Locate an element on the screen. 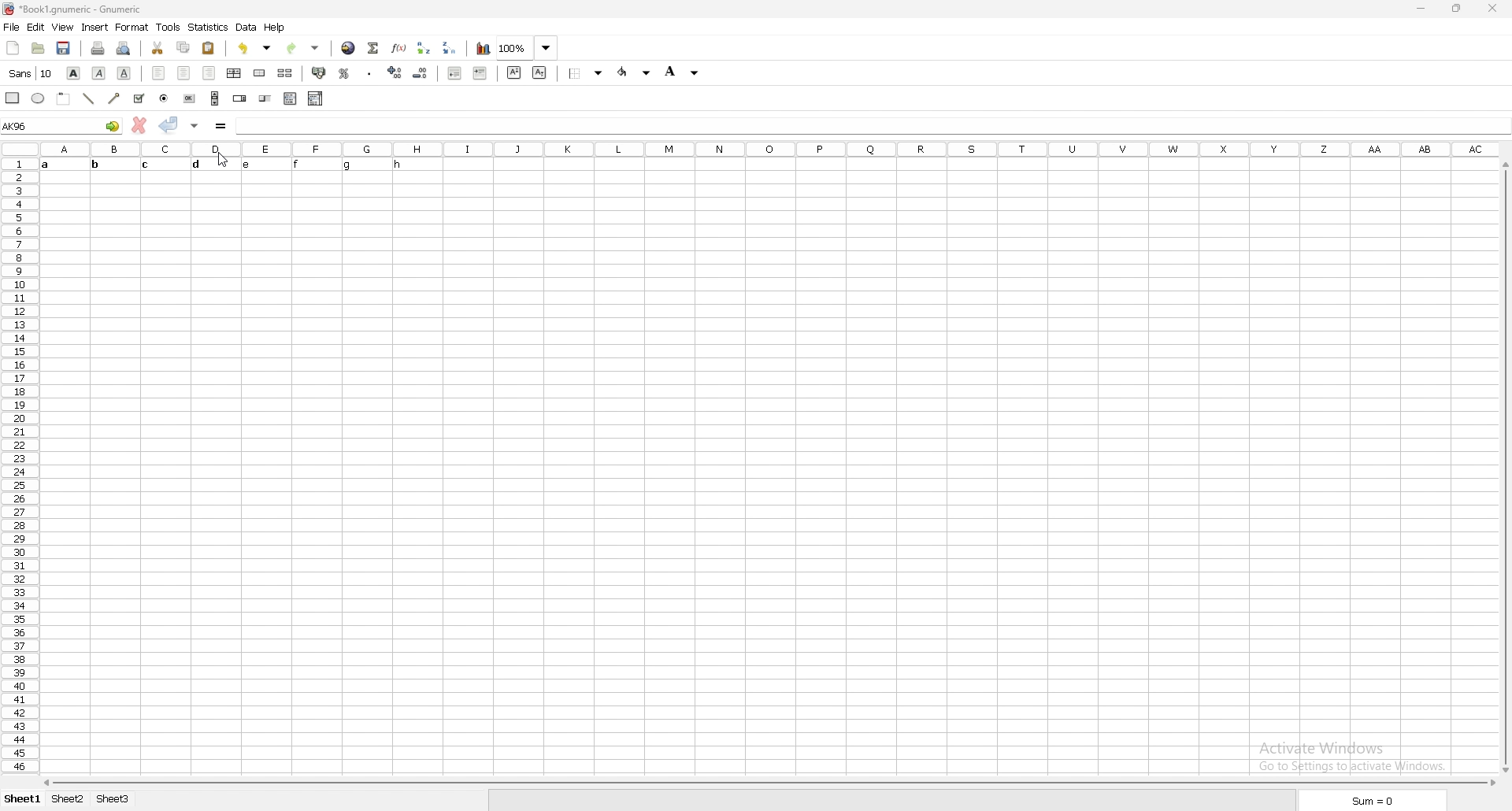 The height and width of the screenshot is (811, 1512). help is located at coordinates (274, 27).